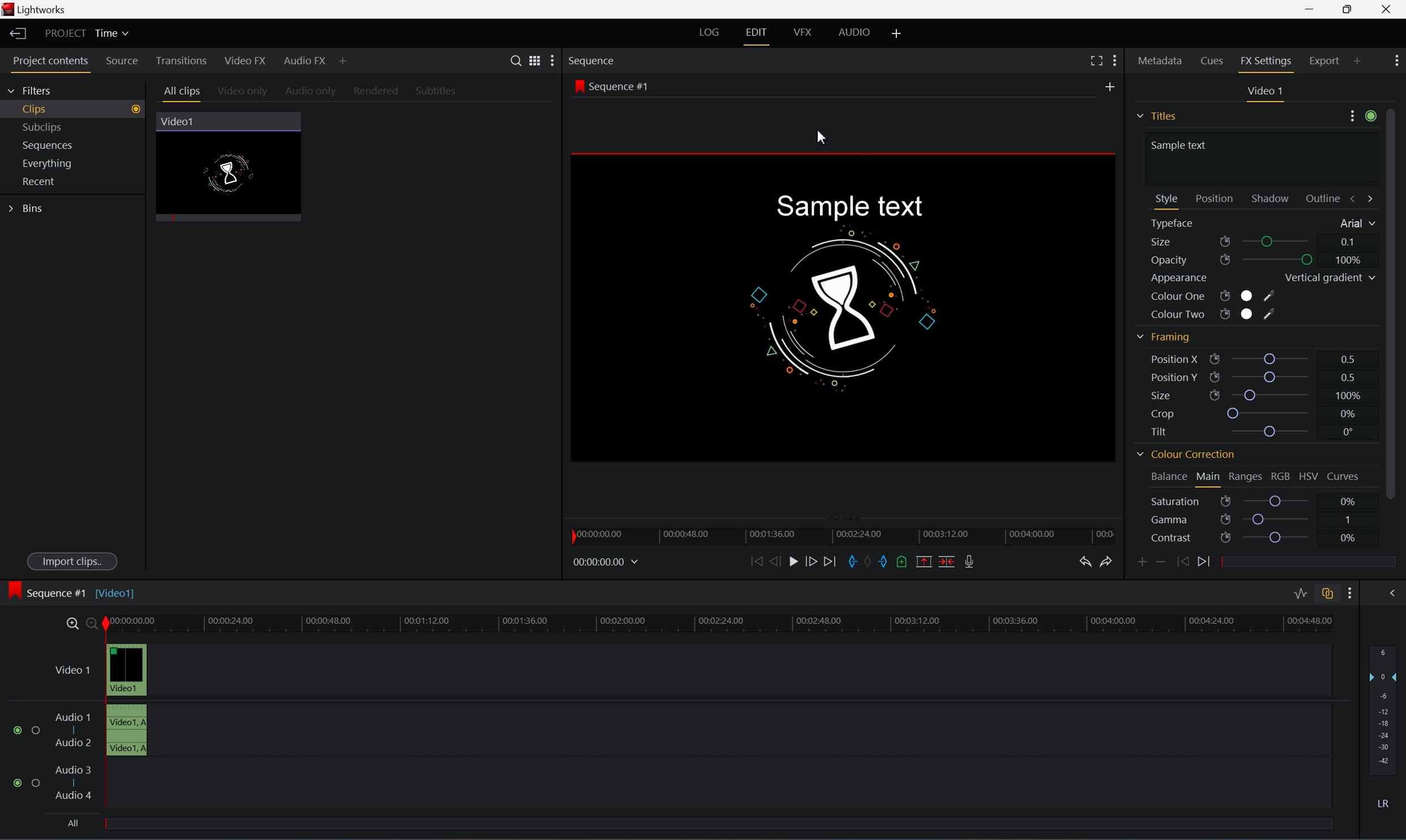  I want to click on play, so click(797, 562).